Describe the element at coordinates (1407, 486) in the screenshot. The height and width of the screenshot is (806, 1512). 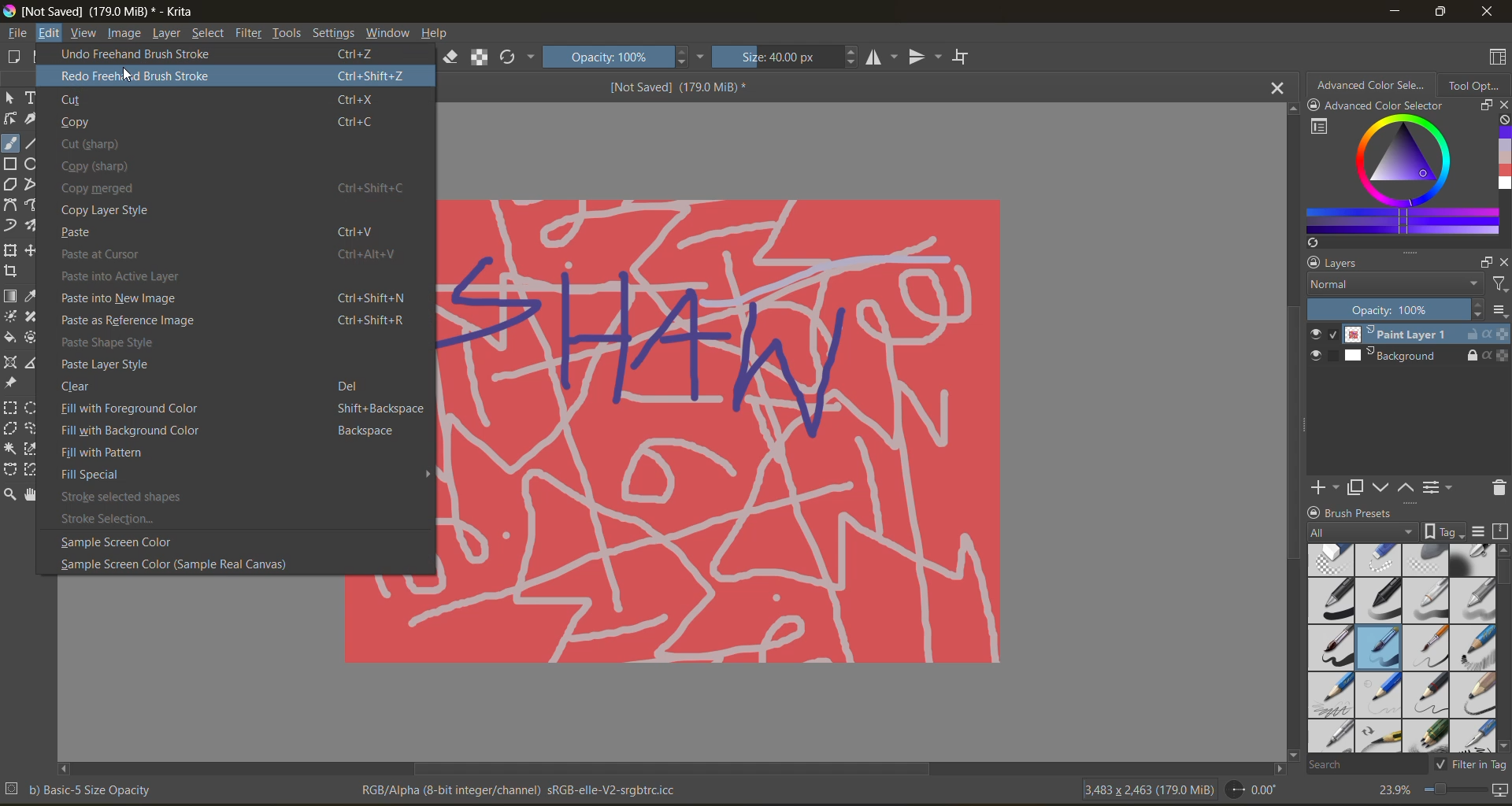
I see `mask up` at that location.